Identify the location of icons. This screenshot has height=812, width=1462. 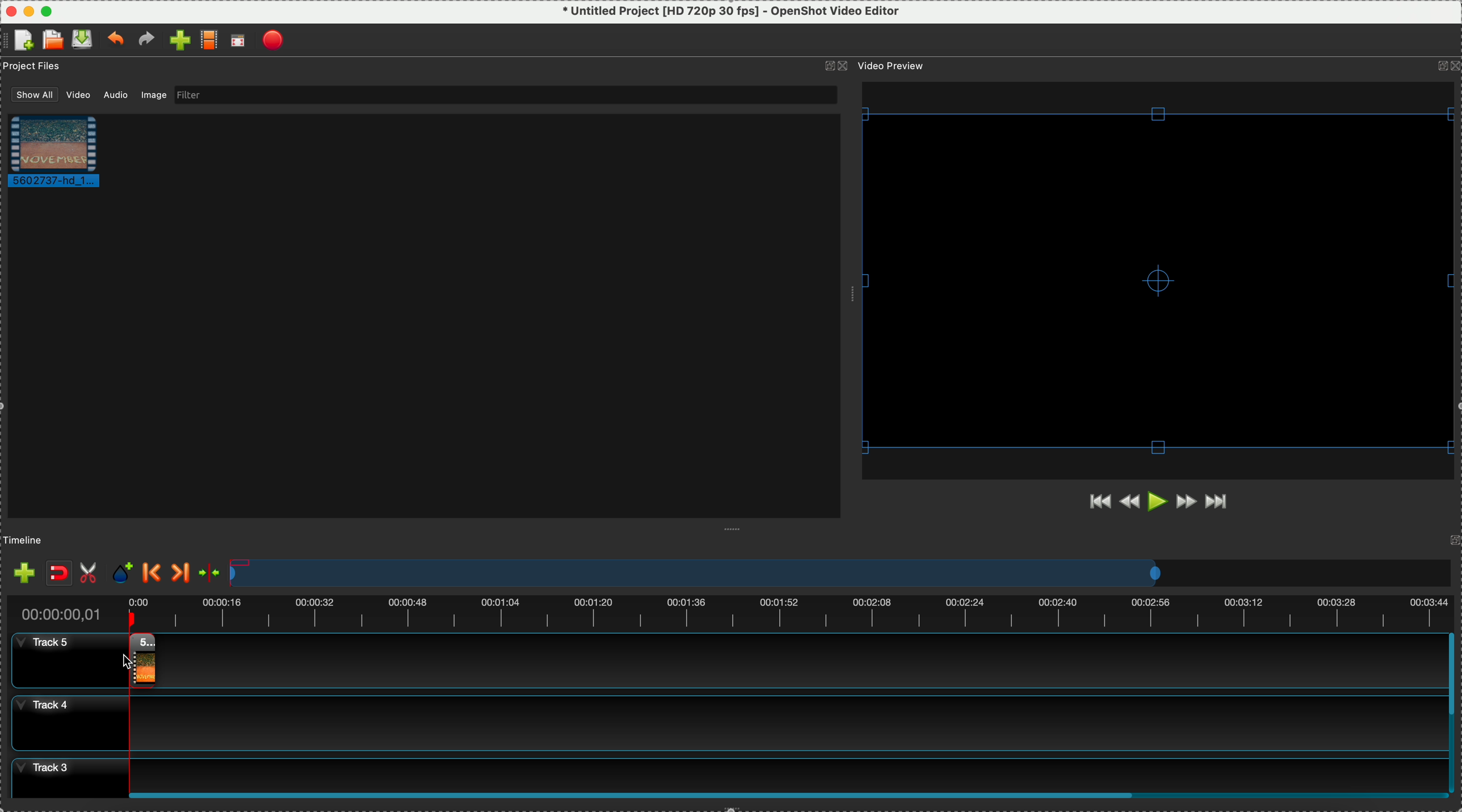
(1447, 67).